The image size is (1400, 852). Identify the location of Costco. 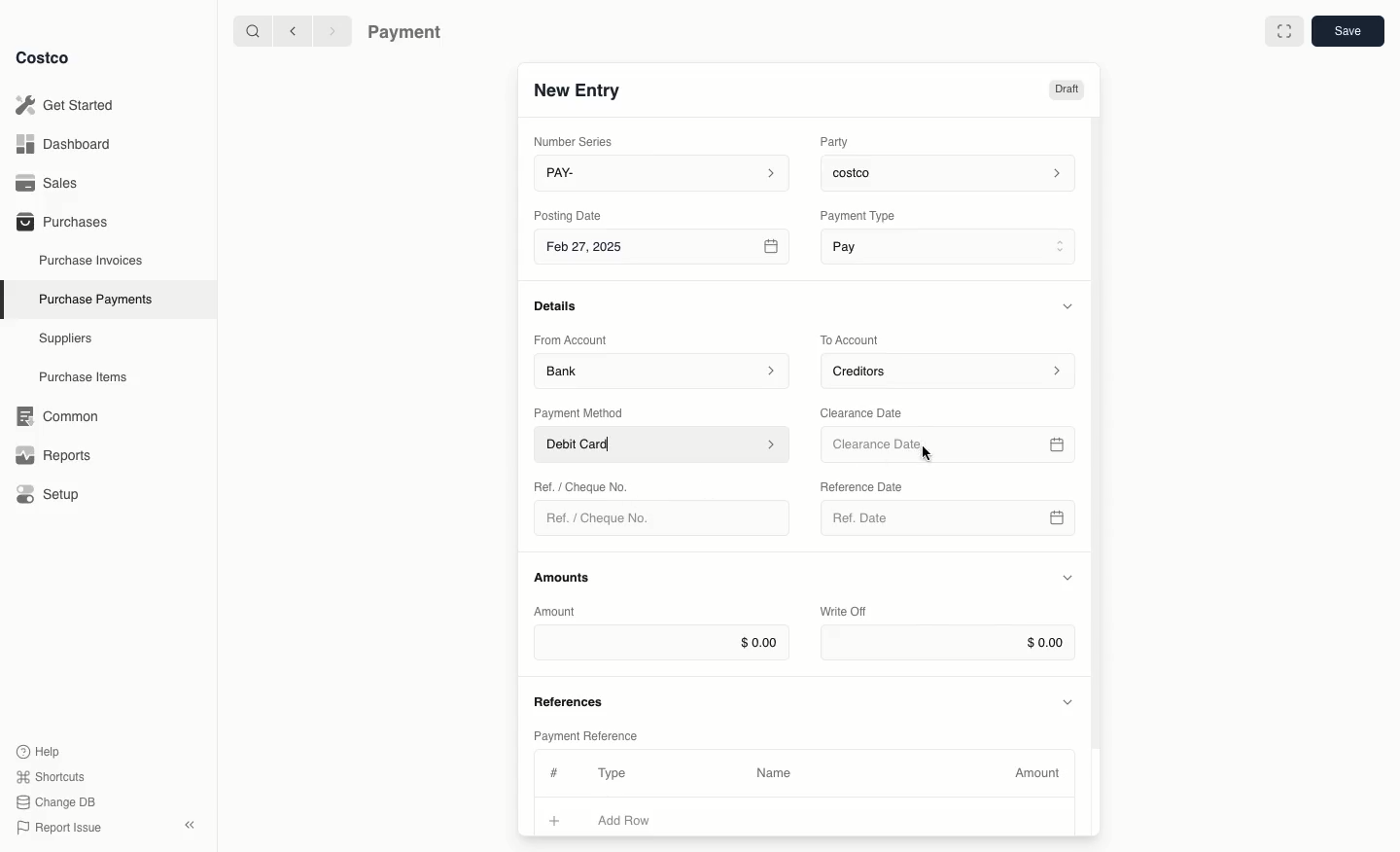
(42, 57).